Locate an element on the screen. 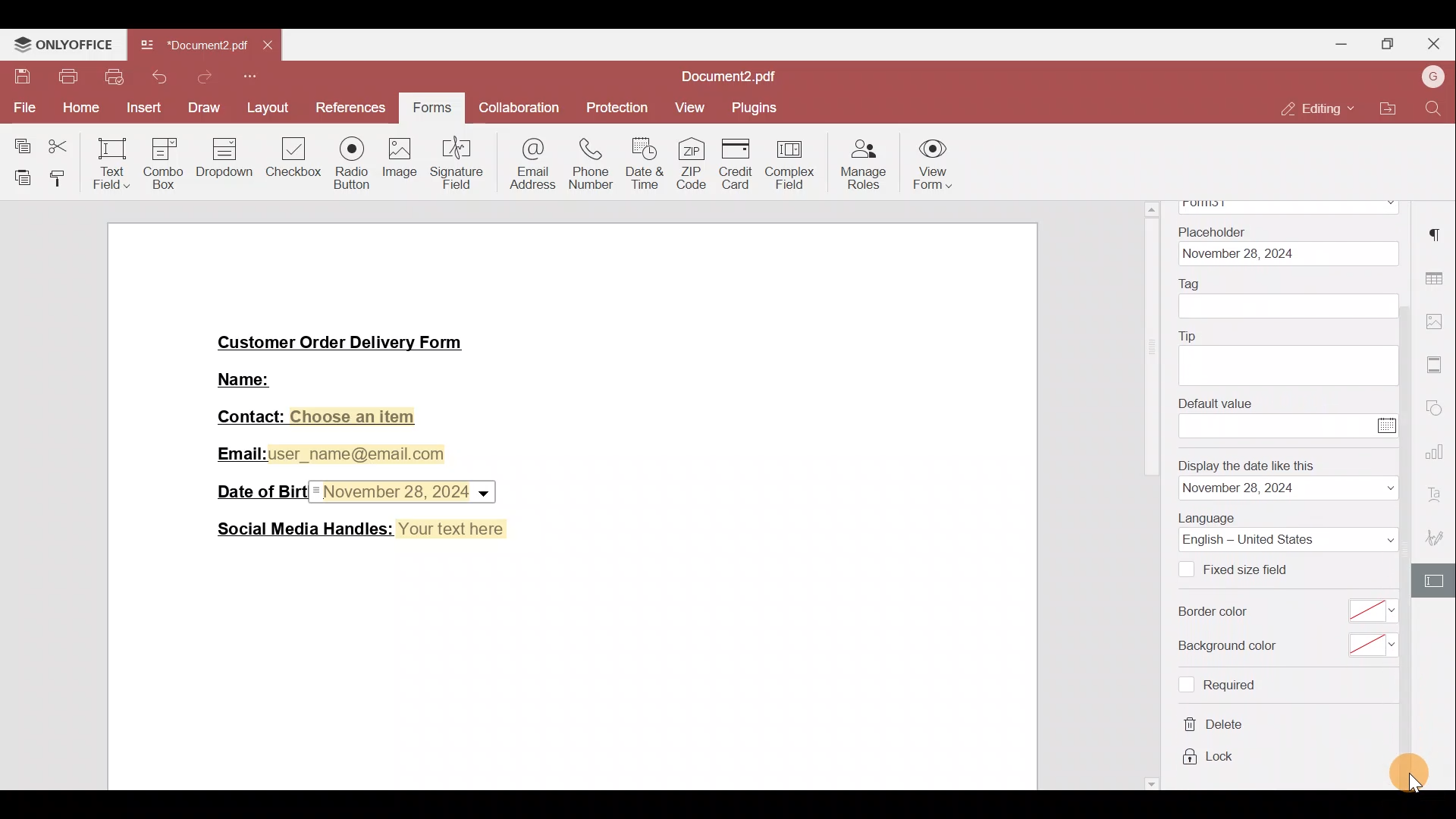 The height and width of the screenshot is (819, 1456). Customer Order Delivery Form| is located at coordinates (341, 345).